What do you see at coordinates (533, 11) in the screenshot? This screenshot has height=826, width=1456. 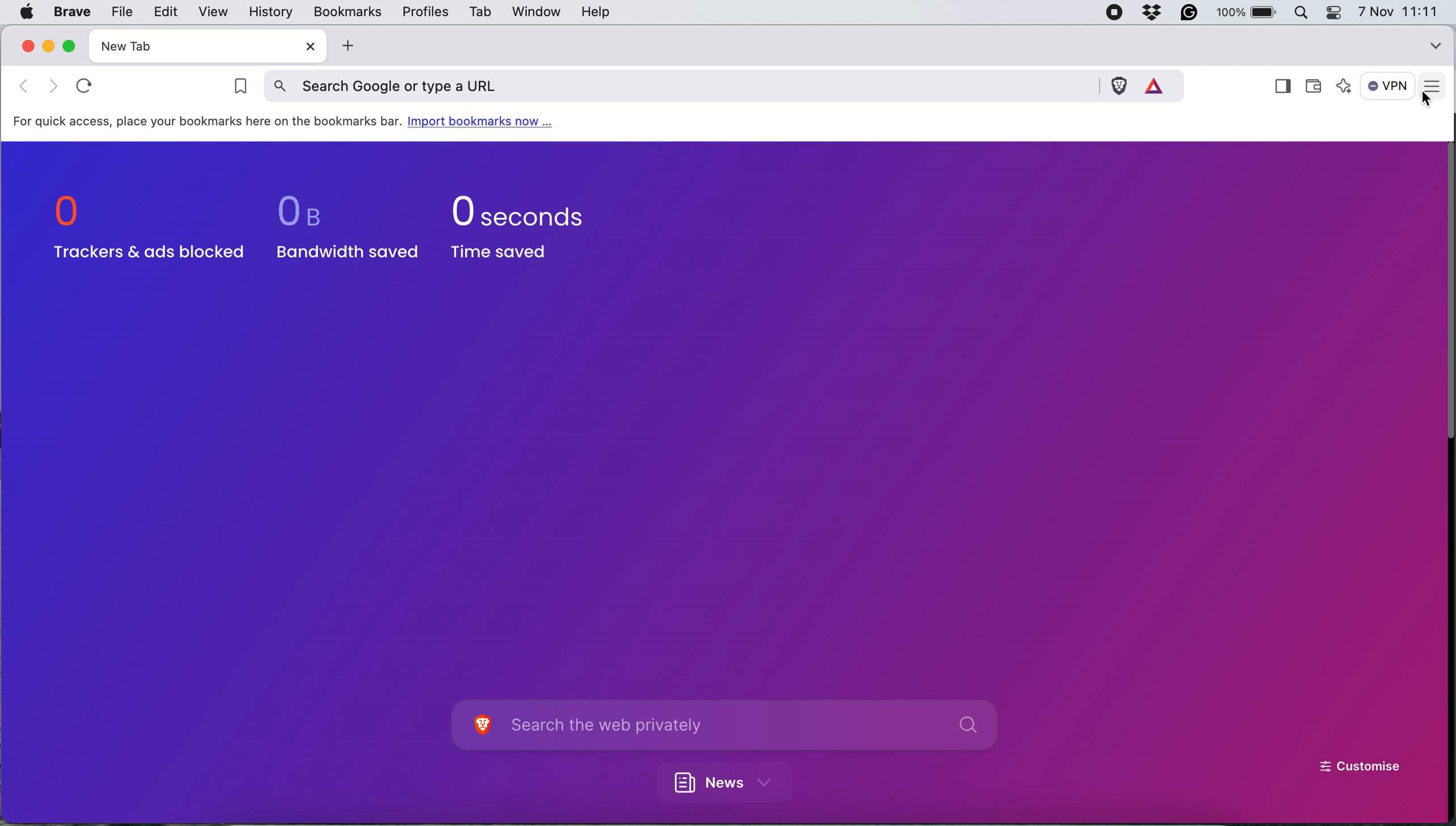 I see `window` at bounding box center [533, 11].